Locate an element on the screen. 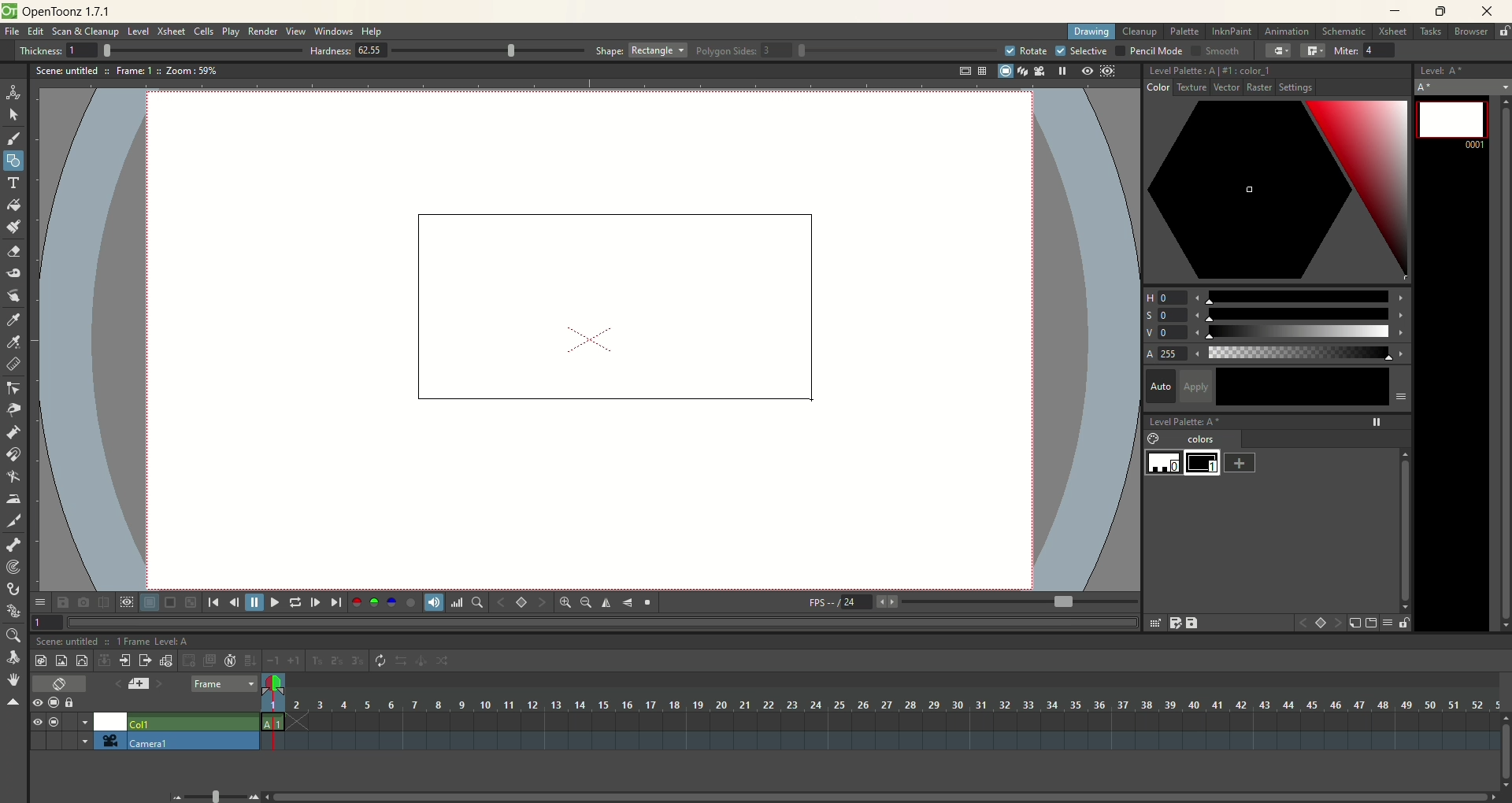 The width and height of the screenshot is (1512, 803). eraser tool is located at coordinates (13, 253).